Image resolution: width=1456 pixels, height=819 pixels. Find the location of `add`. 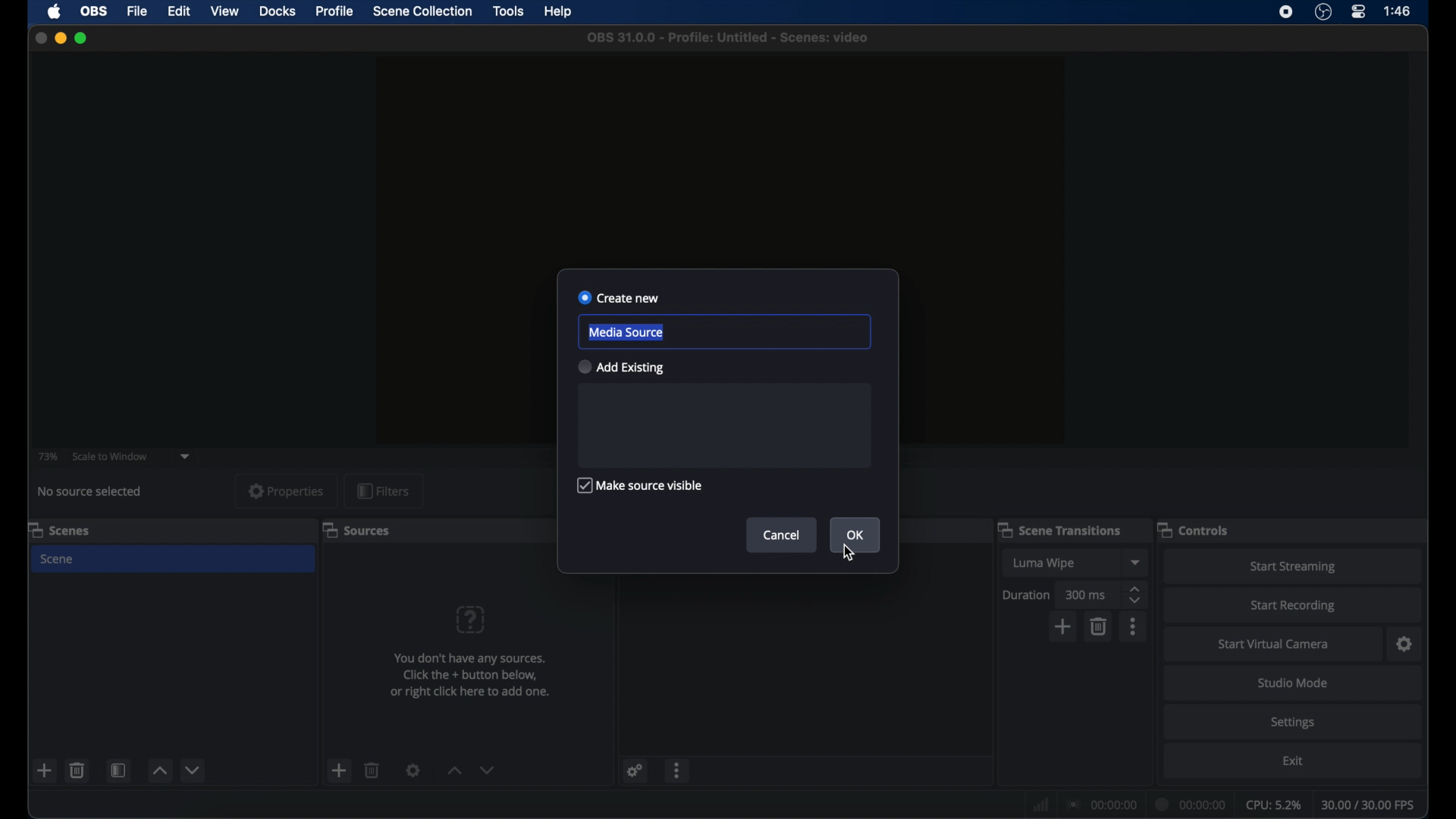

add is located at coordinates (338, 770).